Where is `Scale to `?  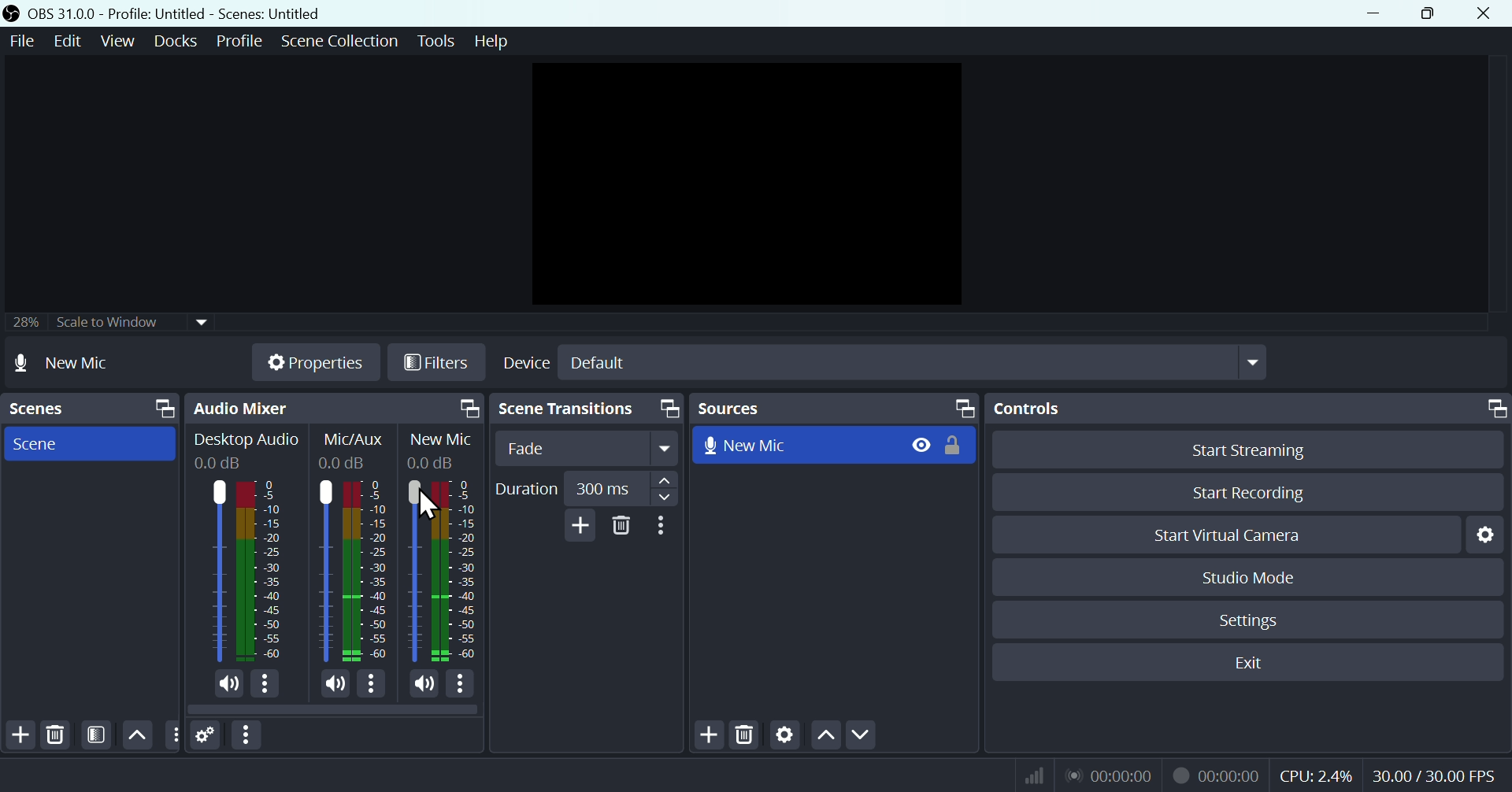 Scale to  is located at coordinates (103, 324).